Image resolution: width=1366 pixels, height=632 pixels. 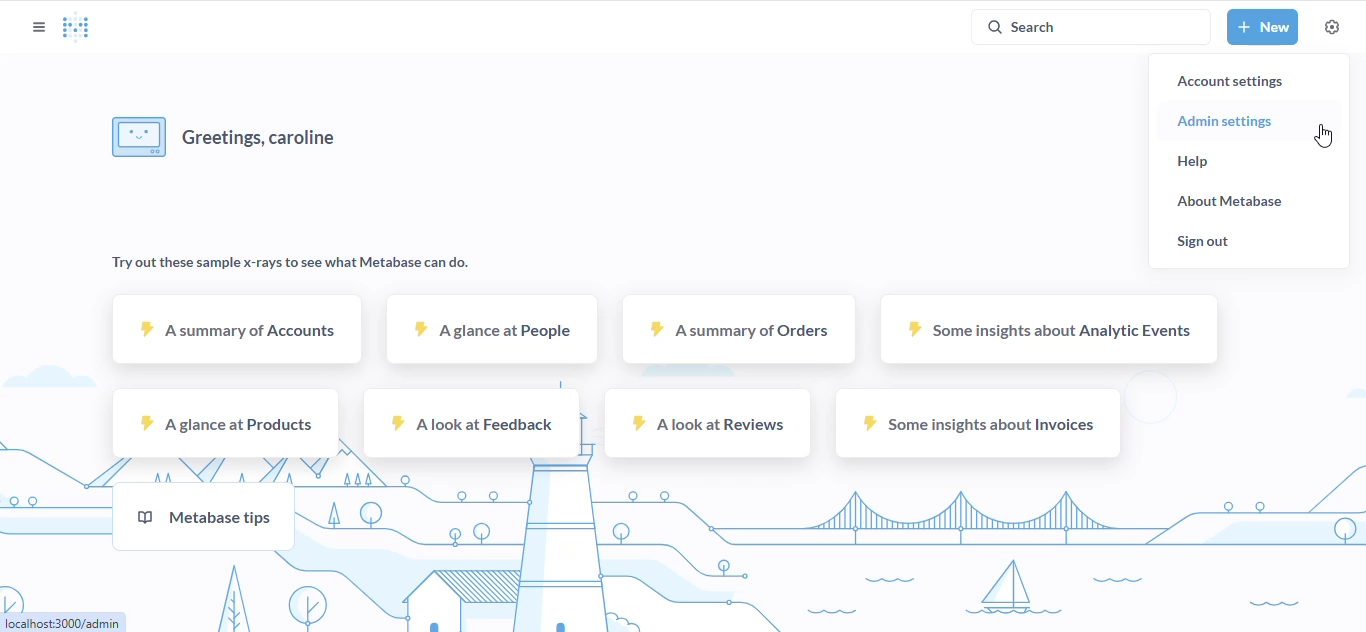 What do you see at coordinates (738, 330) in the screenshot?
I see `a summary of orders` at bounding box center [738, 330].